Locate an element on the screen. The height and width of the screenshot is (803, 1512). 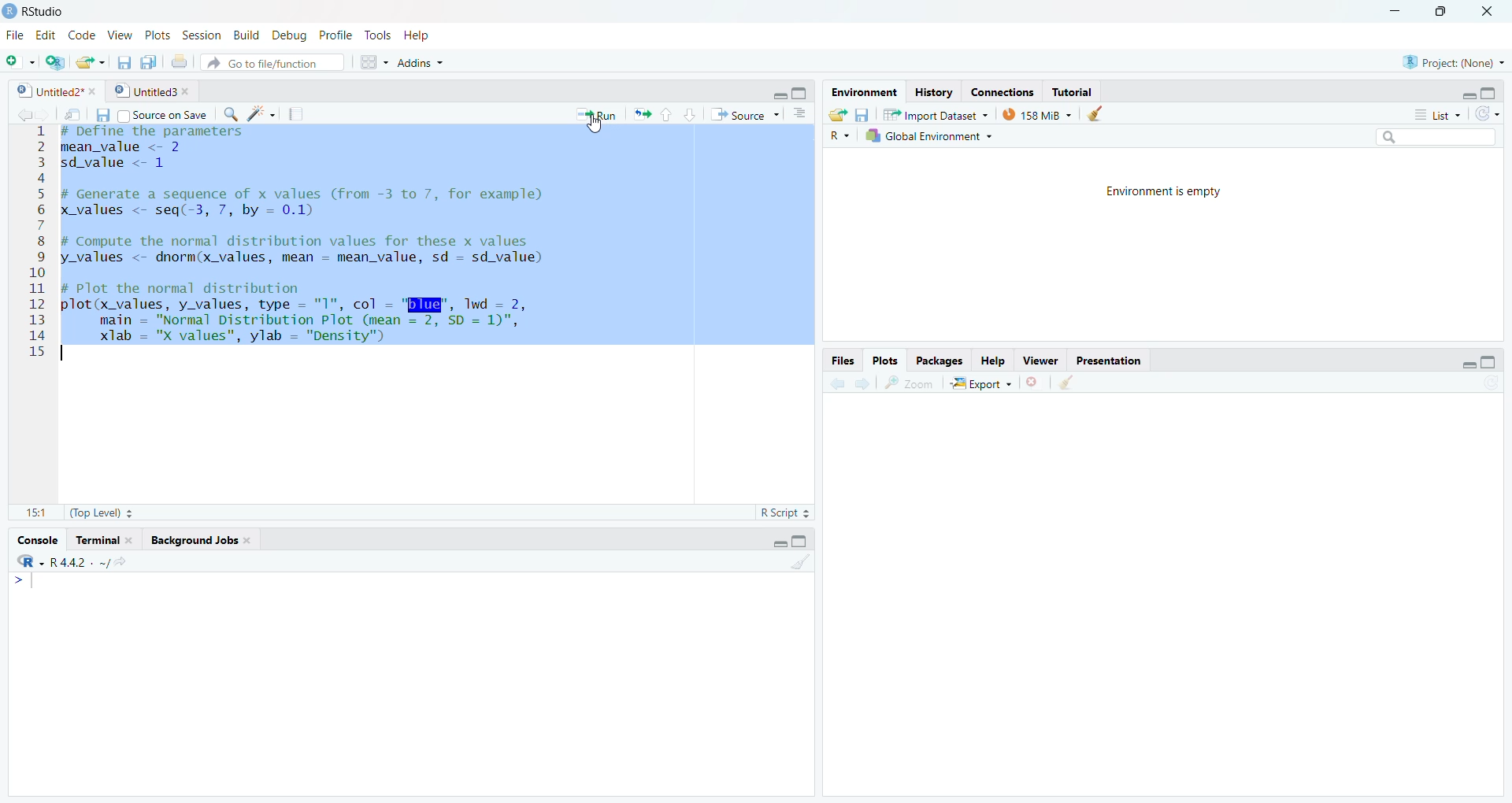
Plots is located at coordinates (888, 360).